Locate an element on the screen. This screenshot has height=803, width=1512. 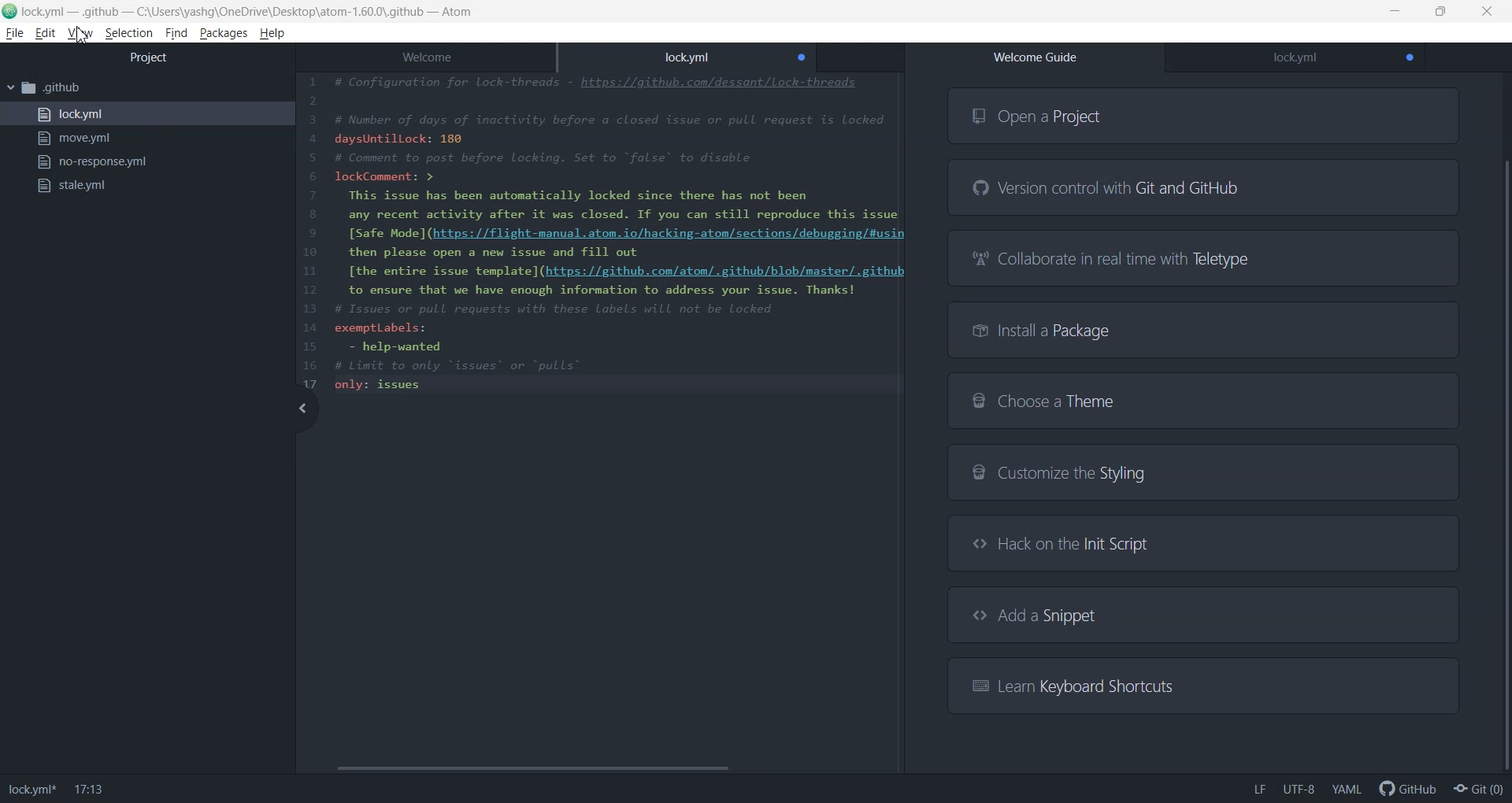
Open a Project is located at coordinates (1204, 115).